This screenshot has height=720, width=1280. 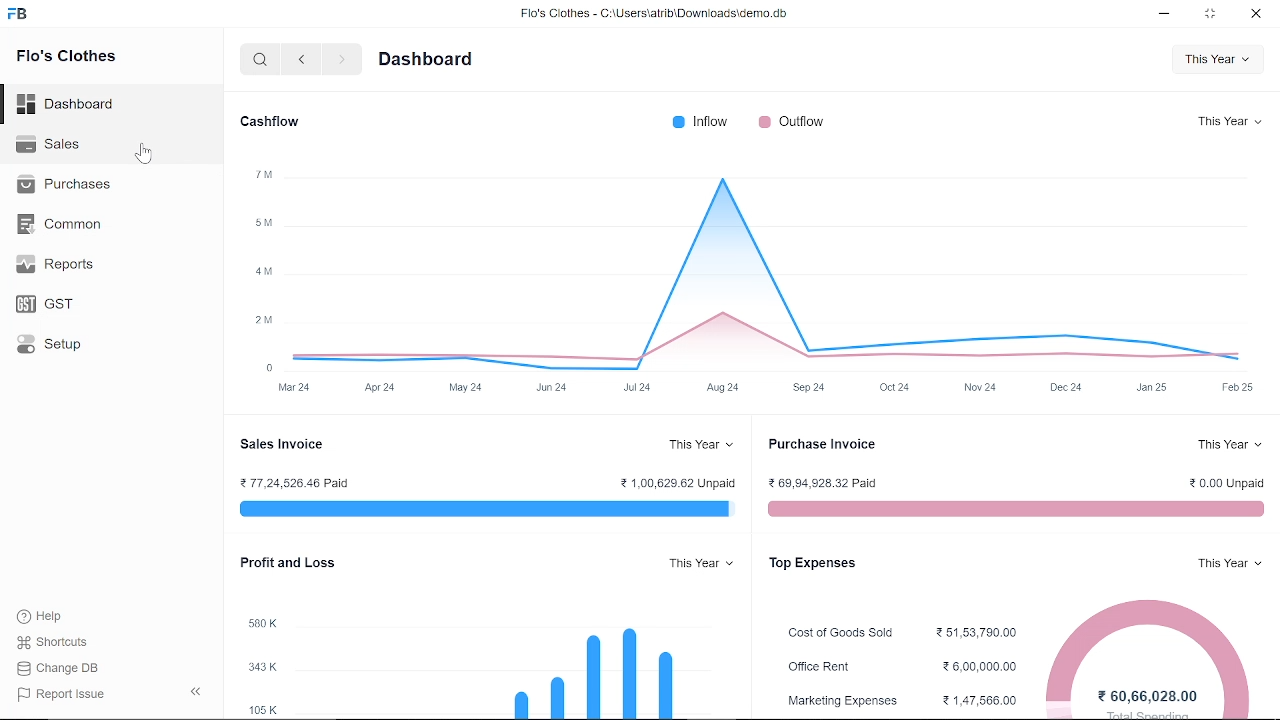 I want to click on 269,94 928.32 Paid, so click(x=832, y=480).